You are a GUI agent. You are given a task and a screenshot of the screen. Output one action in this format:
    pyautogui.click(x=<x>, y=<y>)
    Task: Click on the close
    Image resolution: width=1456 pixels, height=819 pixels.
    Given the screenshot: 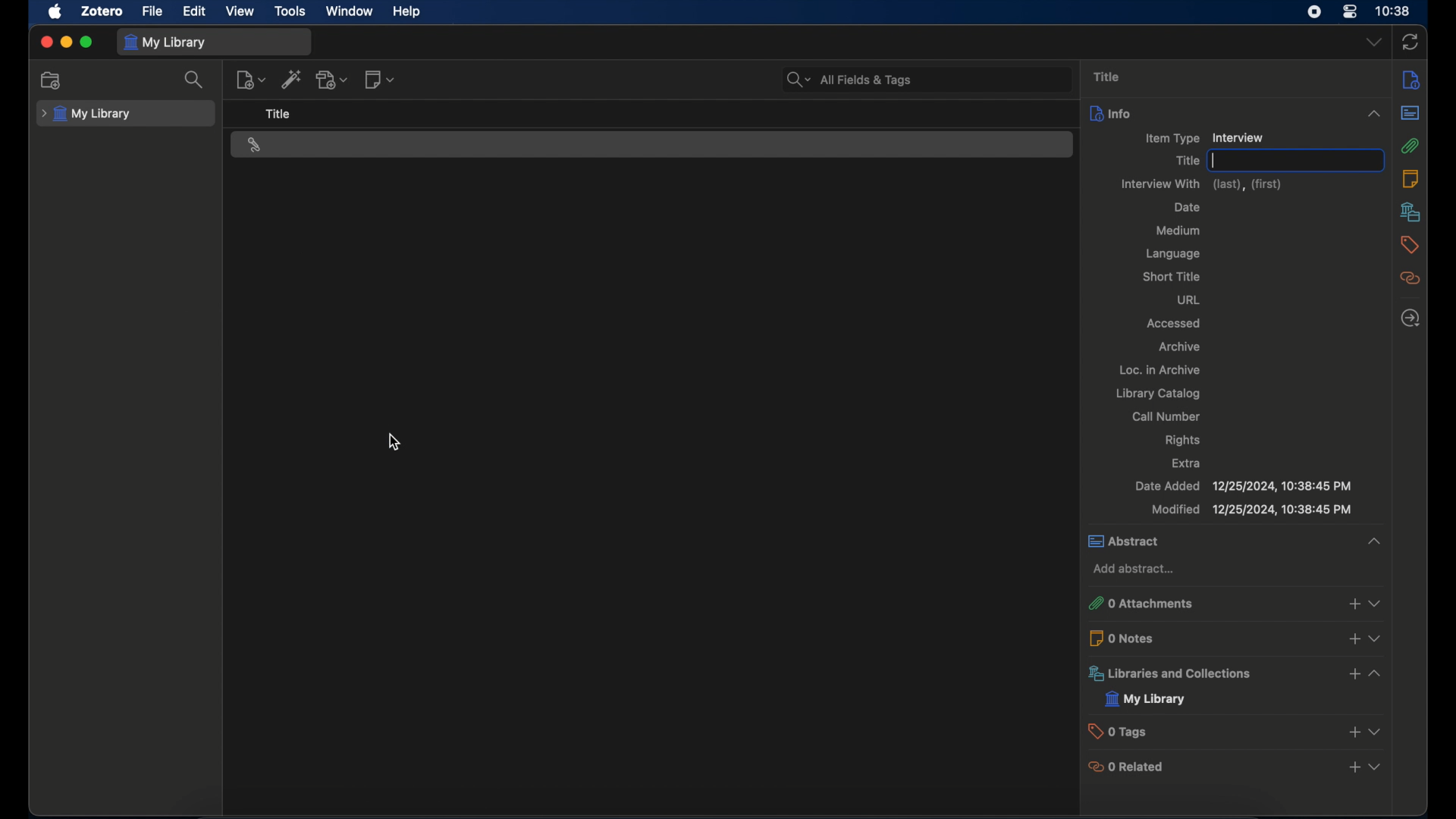 What is the action you would take?
    pyautogui.click(x=45, y=42)
    